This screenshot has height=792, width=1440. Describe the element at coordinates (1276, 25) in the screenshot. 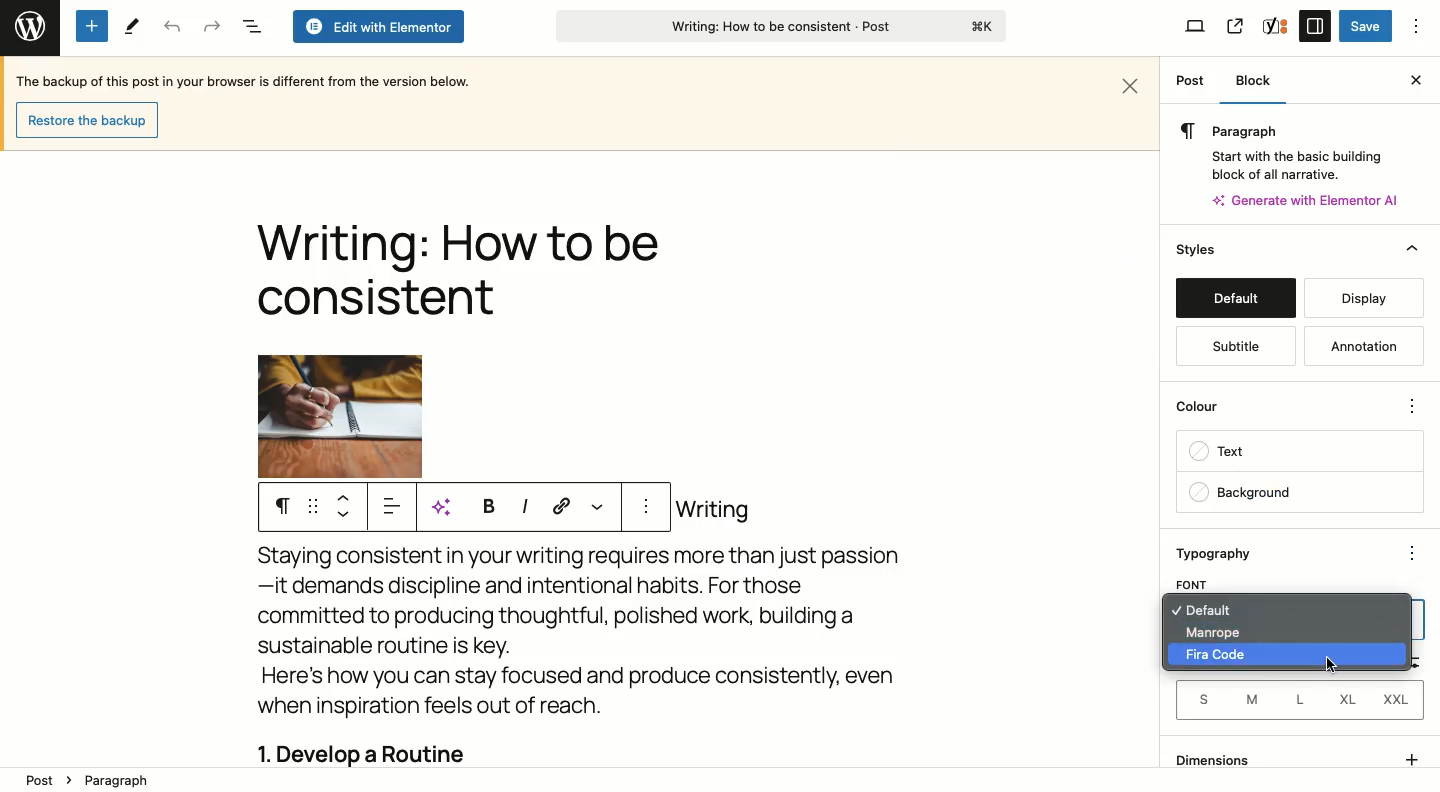

I see `Yoast` at that location.